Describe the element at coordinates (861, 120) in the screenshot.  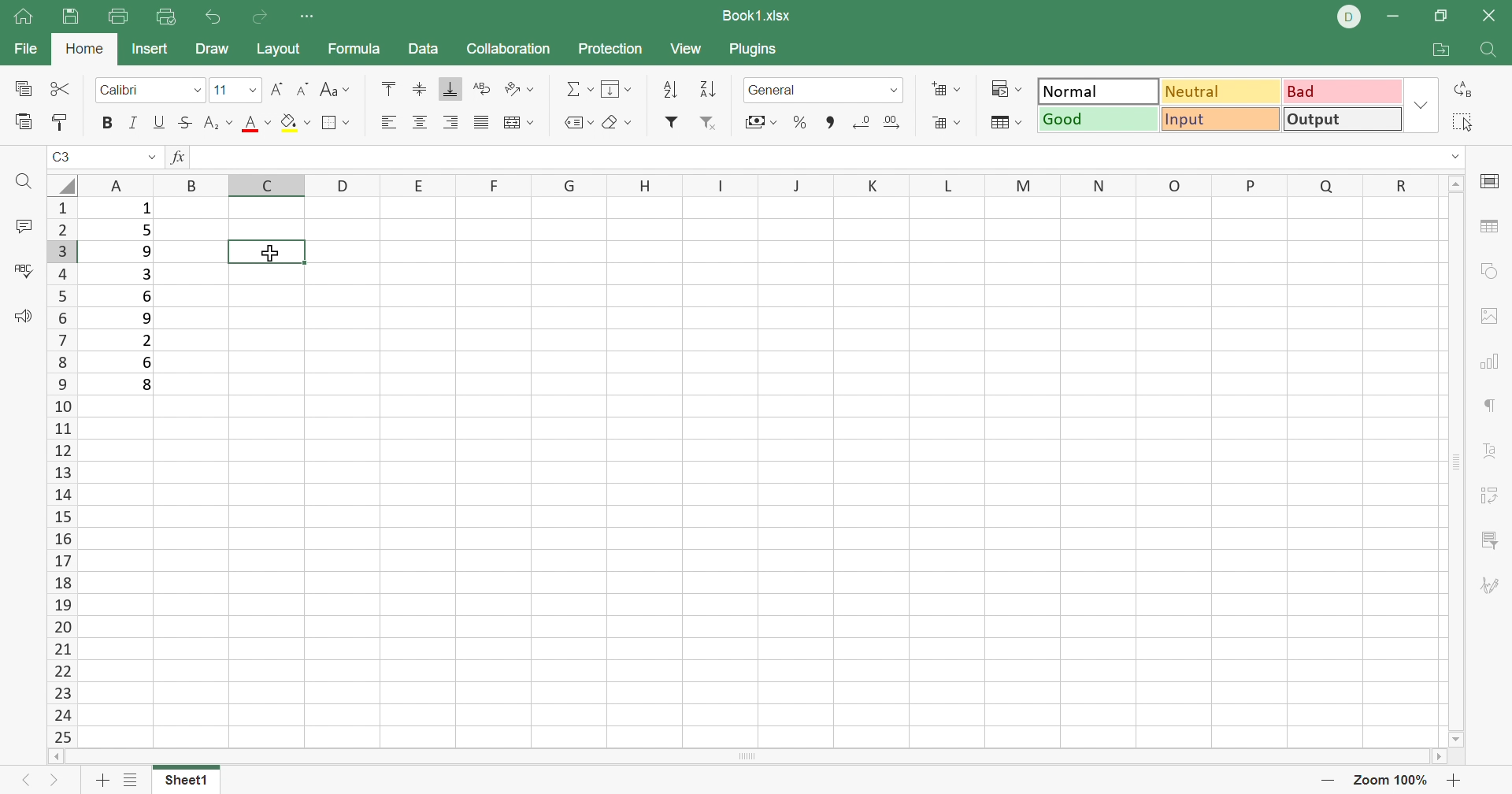
I see `Decrease decimal` at that location.